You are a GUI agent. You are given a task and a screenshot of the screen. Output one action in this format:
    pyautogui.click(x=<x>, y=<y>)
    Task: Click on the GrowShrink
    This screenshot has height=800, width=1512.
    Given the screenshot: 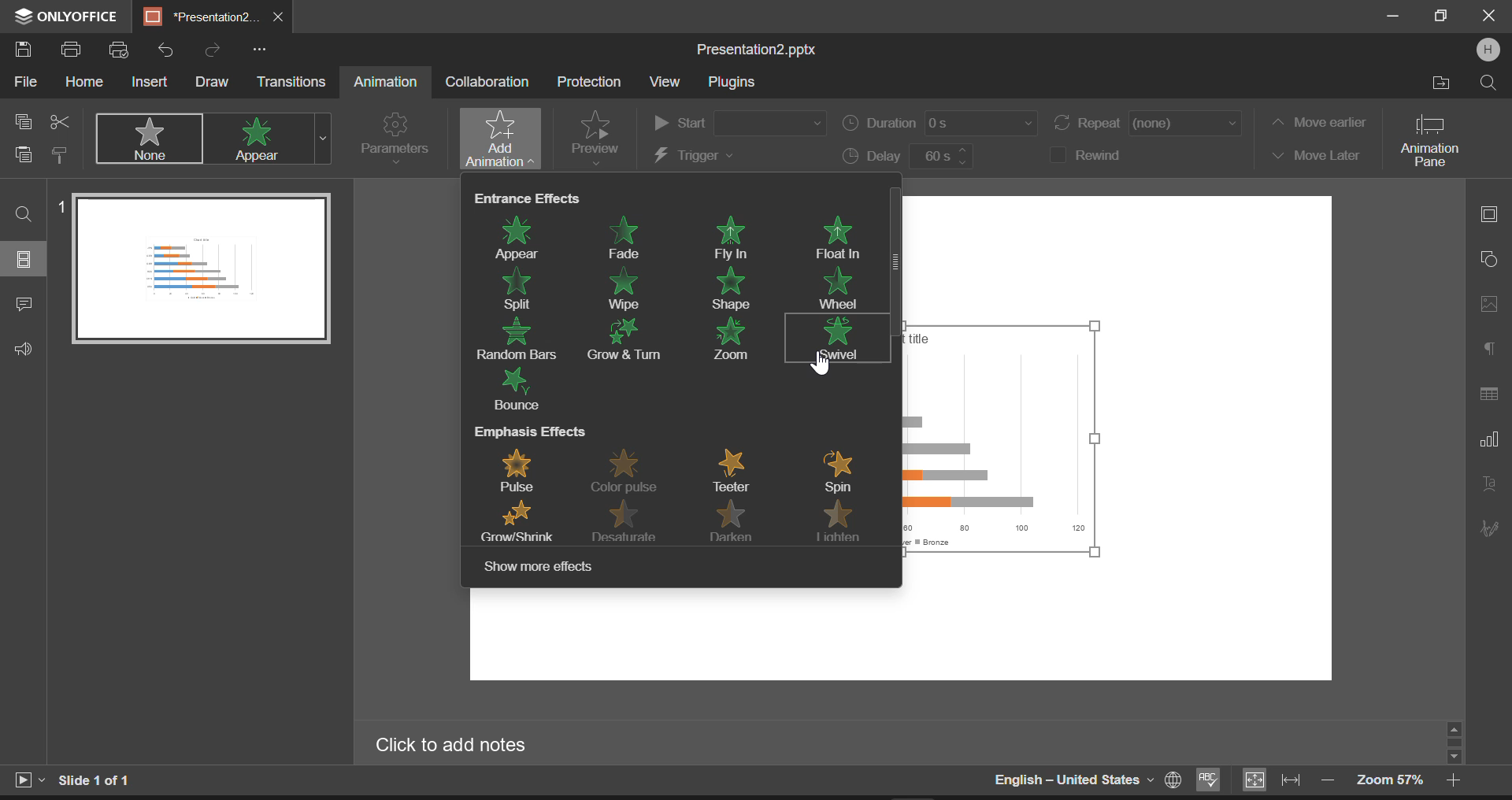 What is the action you would take?
    pyautogui.click(x=518, y=522)
    